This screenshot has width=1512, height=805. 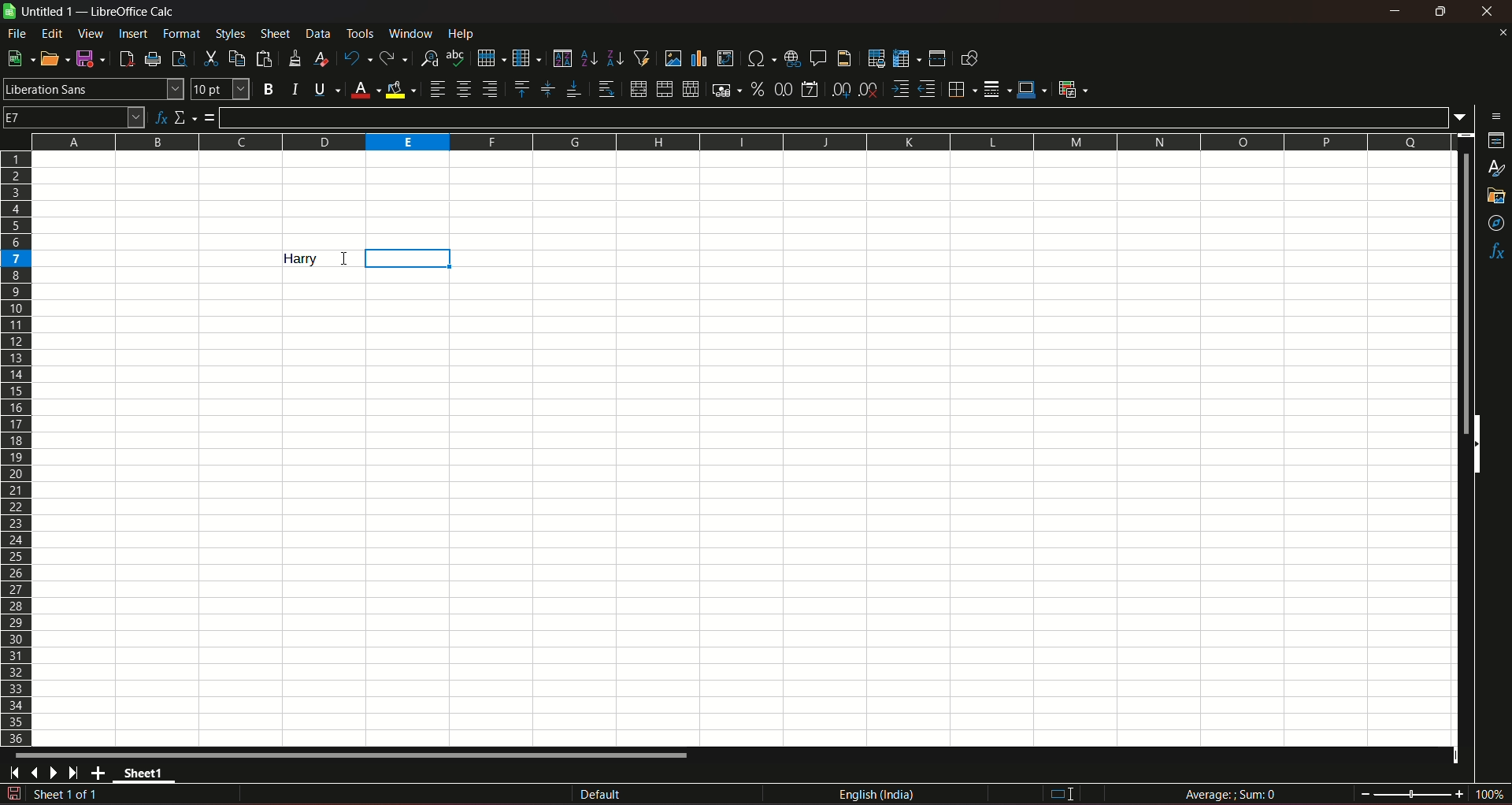 I want to click on cut, so click(x=209, y=58).